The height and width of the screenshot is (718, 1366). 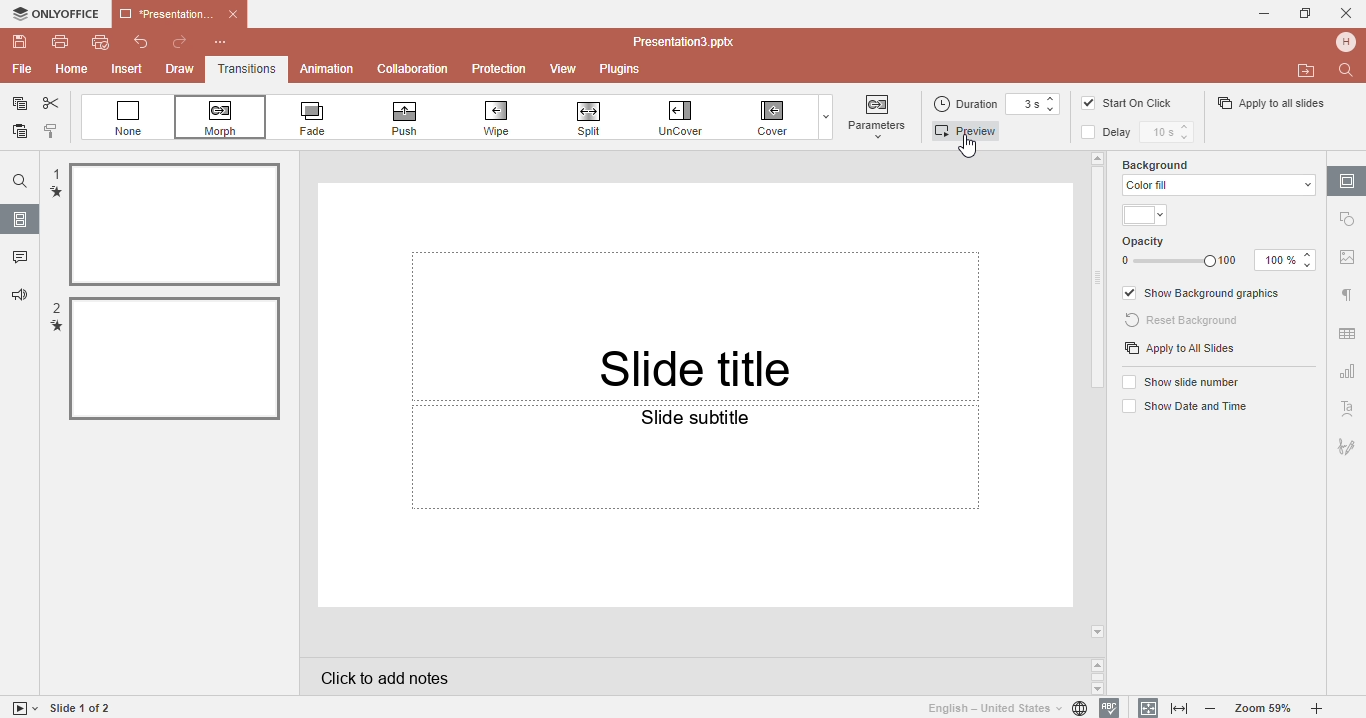 What do you see at coordinates (1307, 71) in the screenshot?
I see `Open file` at bounding box center [1307, 71].